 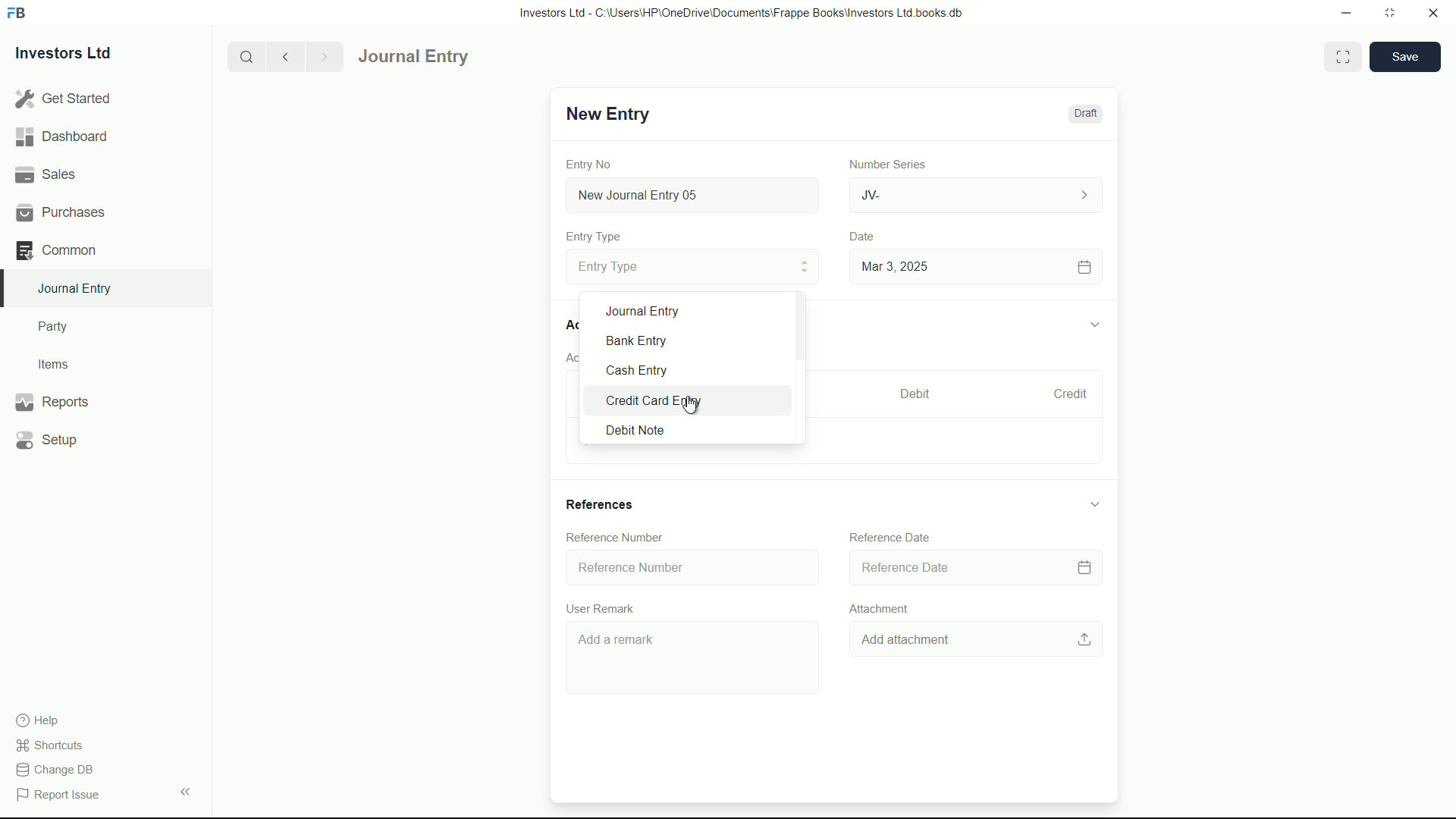 I want to click on Credit Card Entry, so click(x=660, y=400).